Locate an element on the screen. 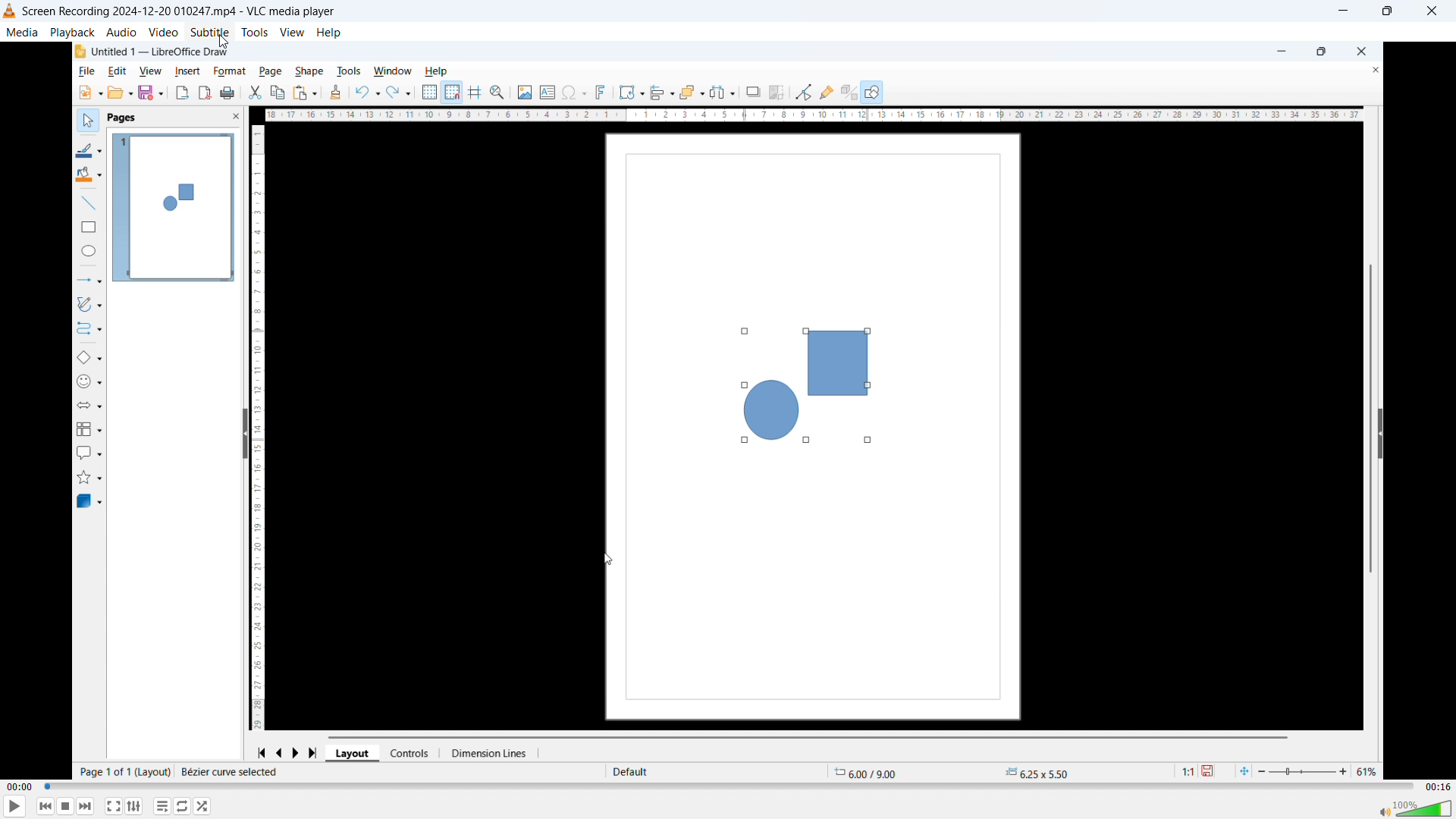  Cursor  is located at coordinates (224, 41).